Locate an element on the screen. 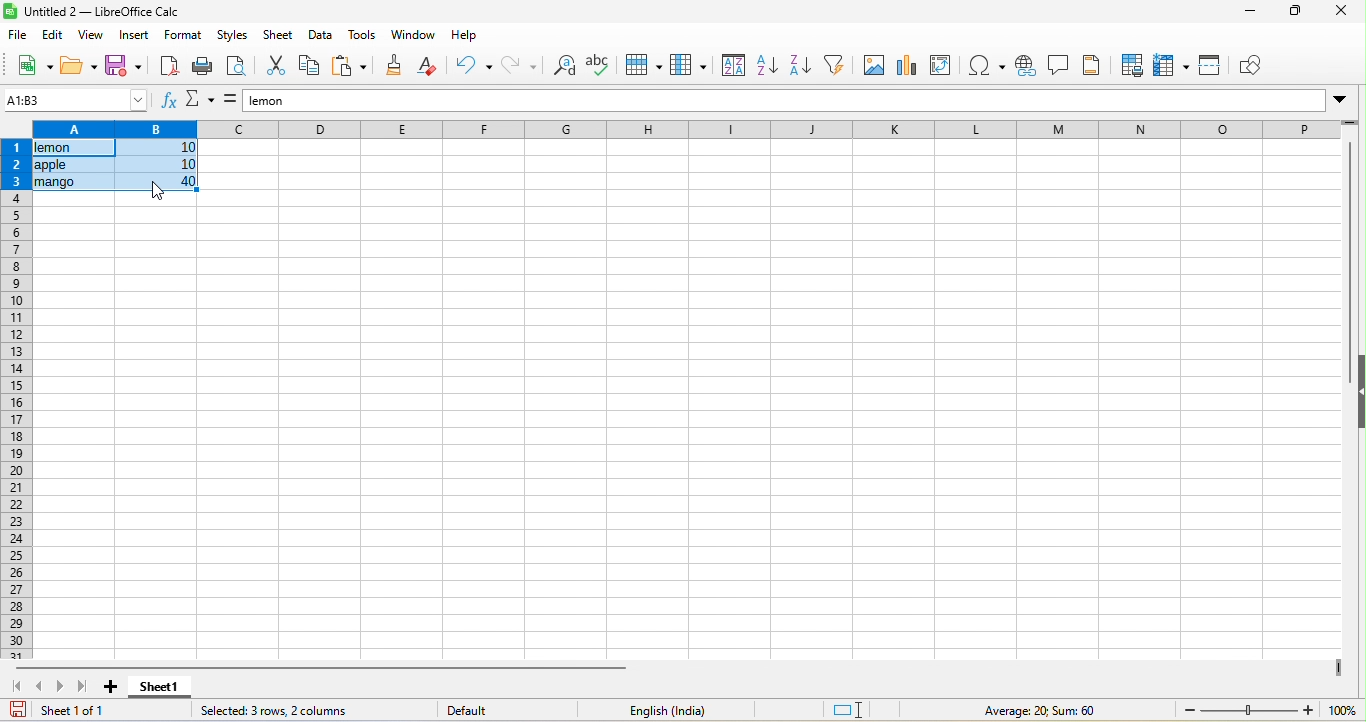 Image resolution: width=1366 pixels, height=722 pixels. paste is located at coordinates (350, 68).